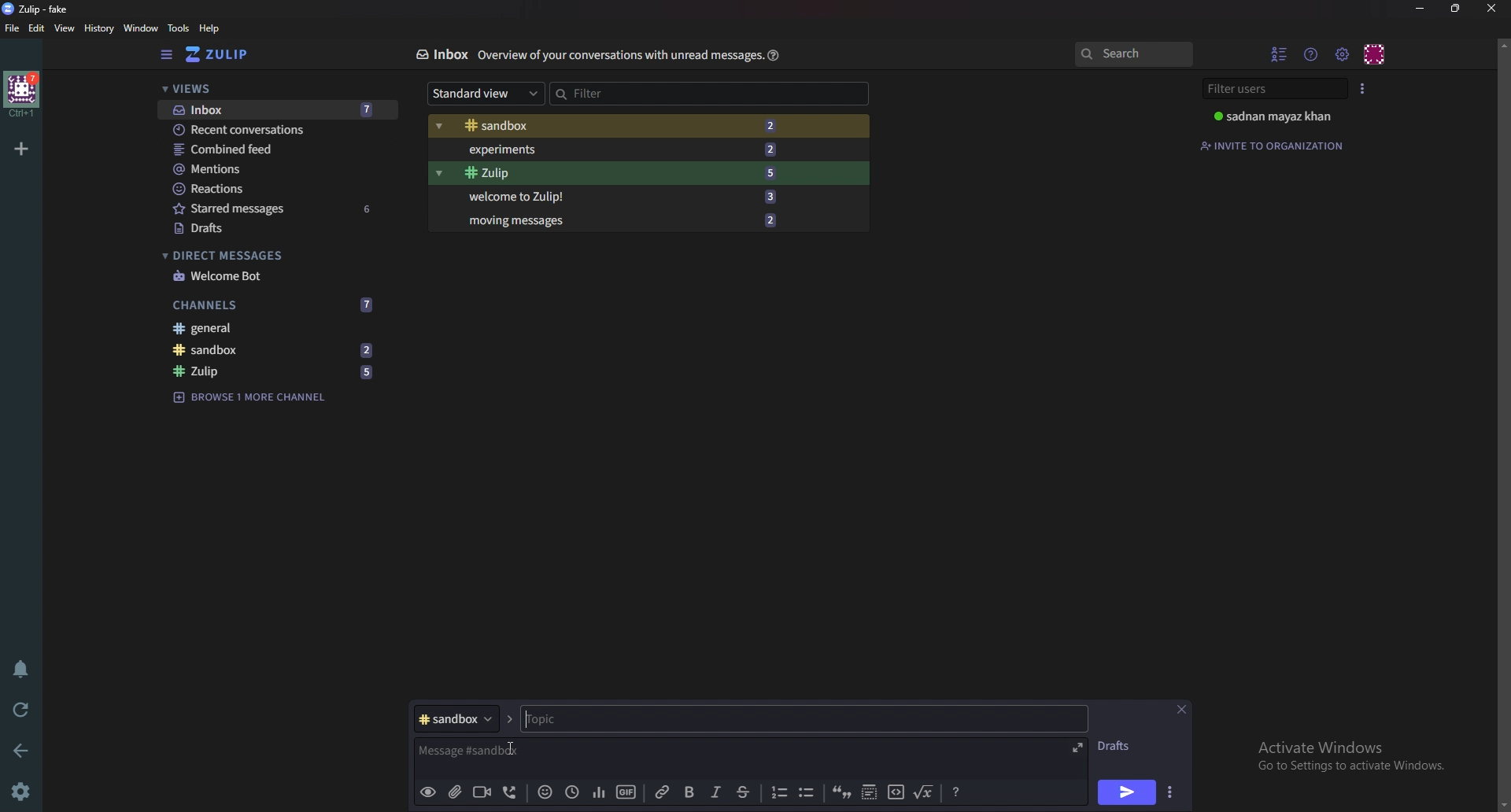 This screenshot has height=812, width=1511. What do you see at coordinates (427, 793) in the screenshot?
I see `preview` at bounding box center [427, 793].